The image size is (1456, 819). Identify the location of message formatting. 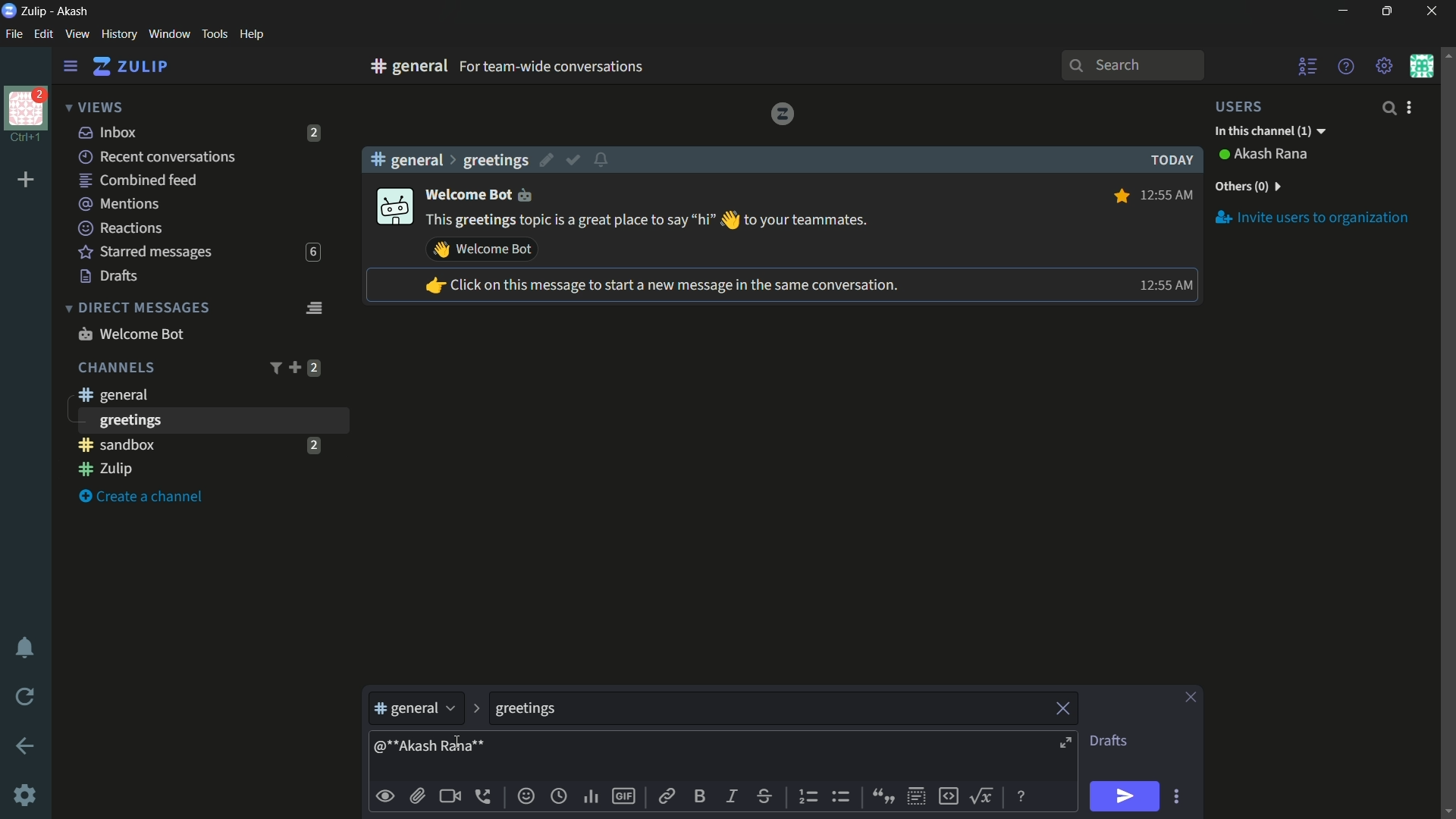
(1023, 795).